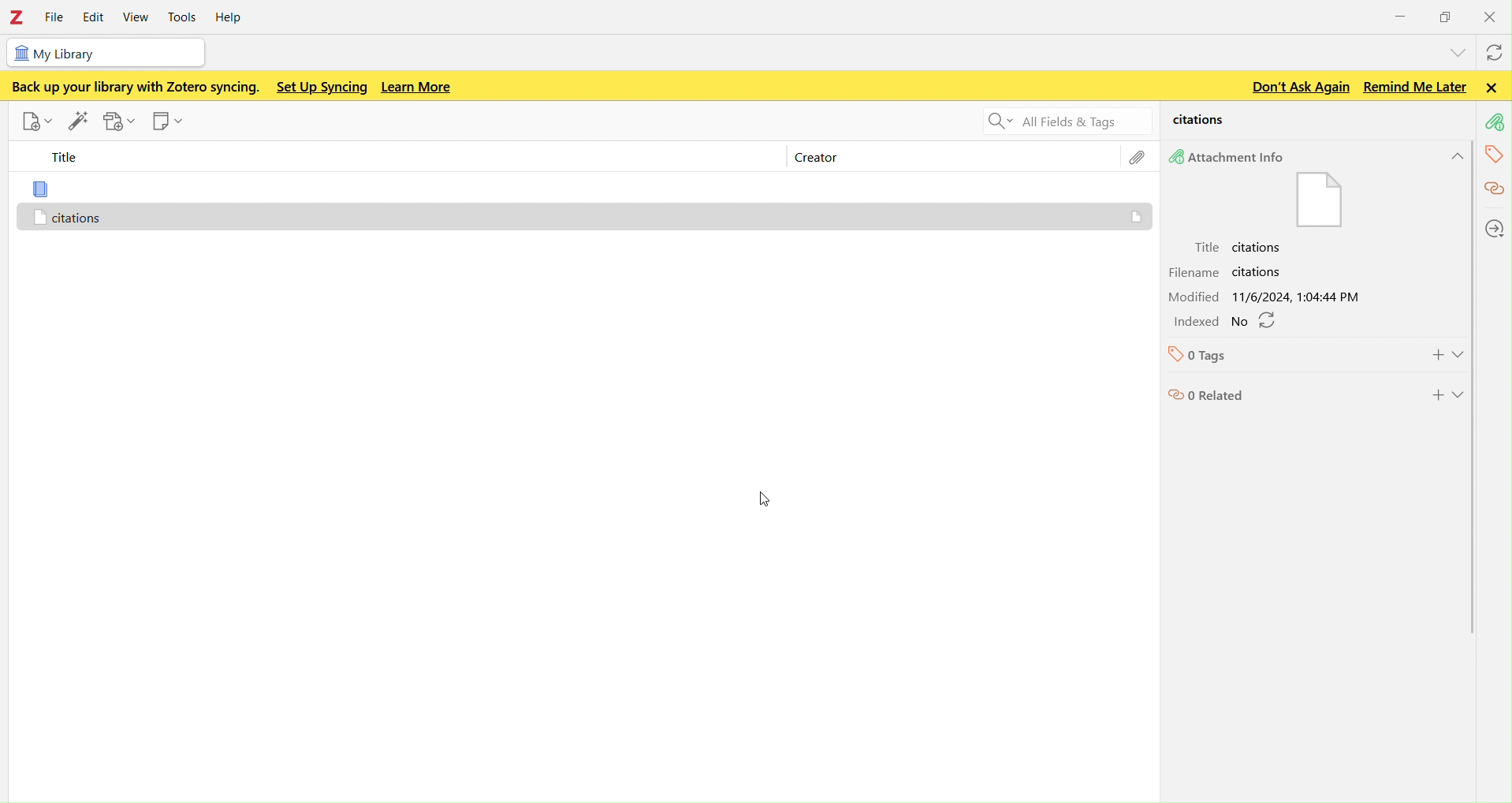 This screenshot has width=1512, height=803. I want to click on add items, so click(78, 121).